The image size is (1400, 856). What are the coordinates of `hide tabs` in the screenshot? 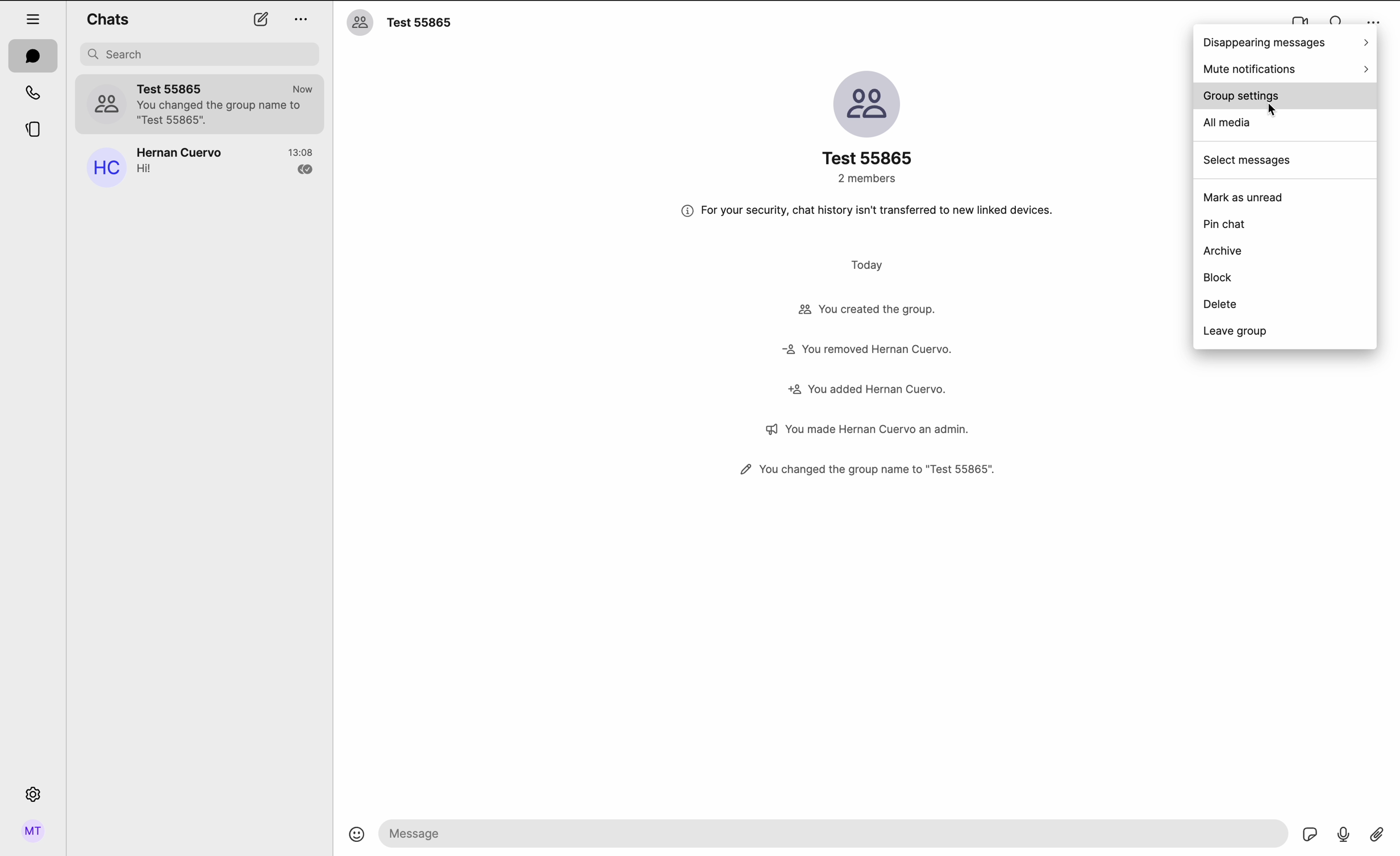 It's located at (33, 18).